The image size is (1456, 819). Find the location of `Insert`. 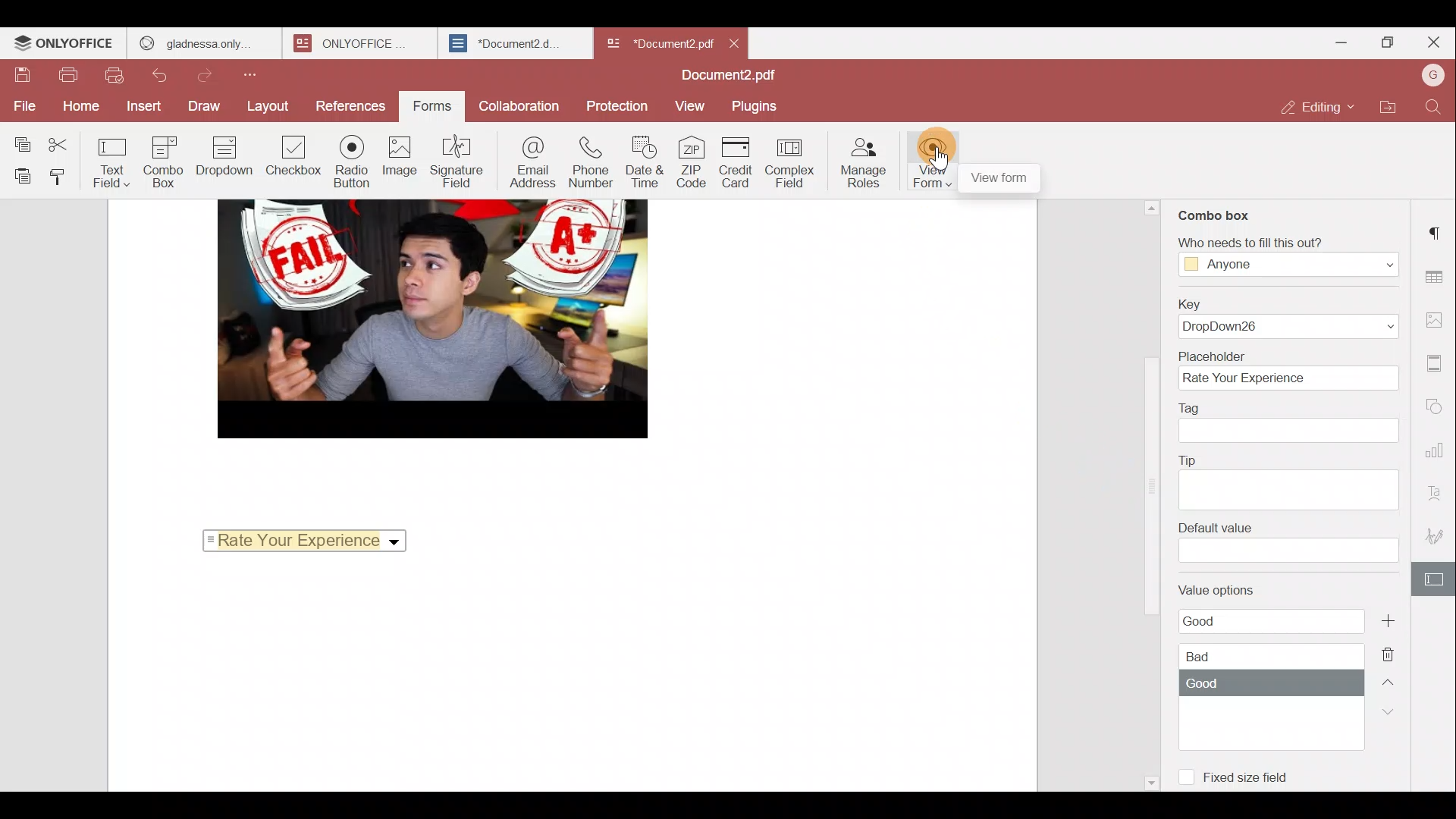

Insert is located at coordinates (140, 106).